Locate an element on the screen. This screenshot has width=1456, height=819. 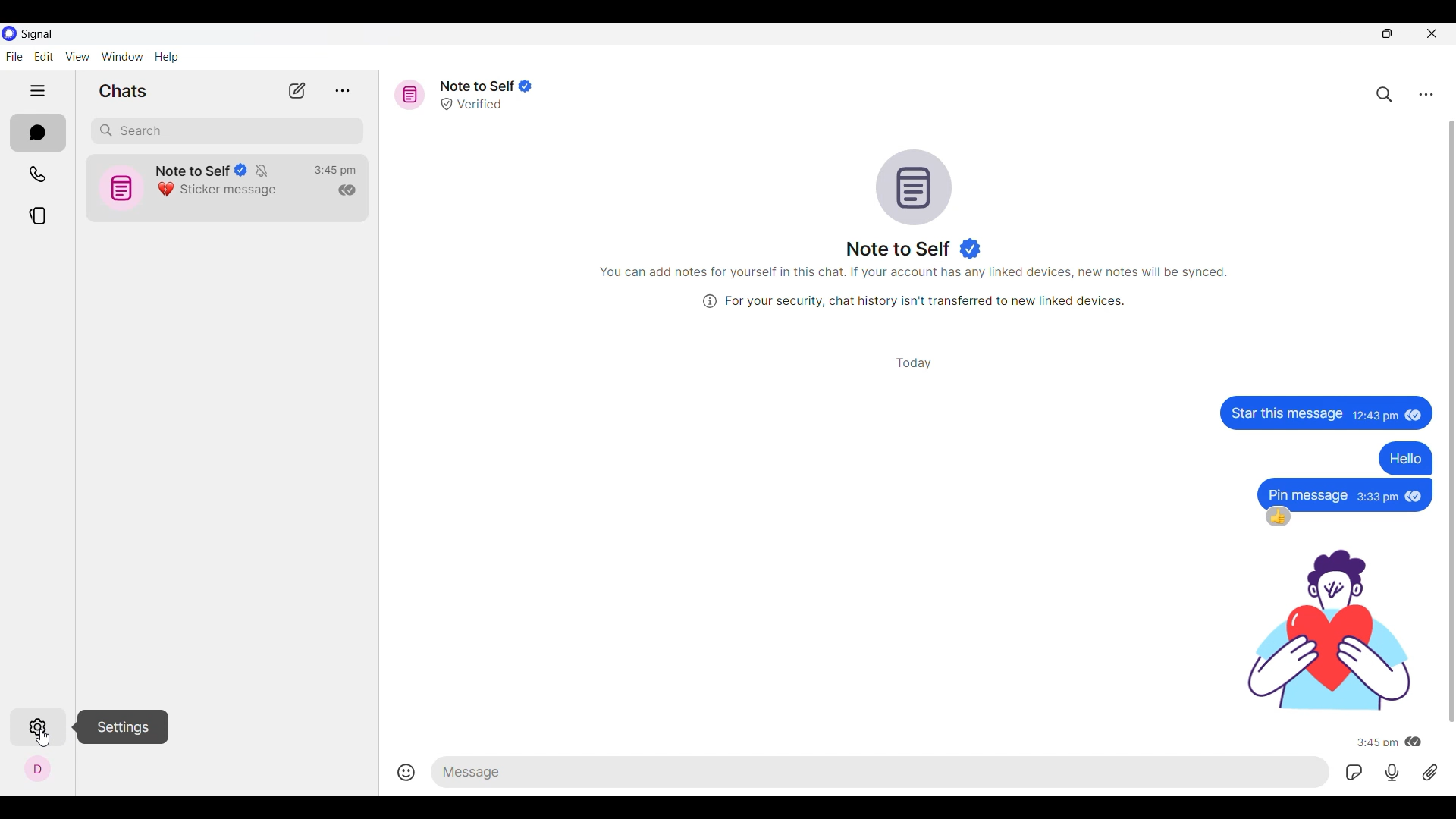
Time message was sent is located at coordinates (915, 364).